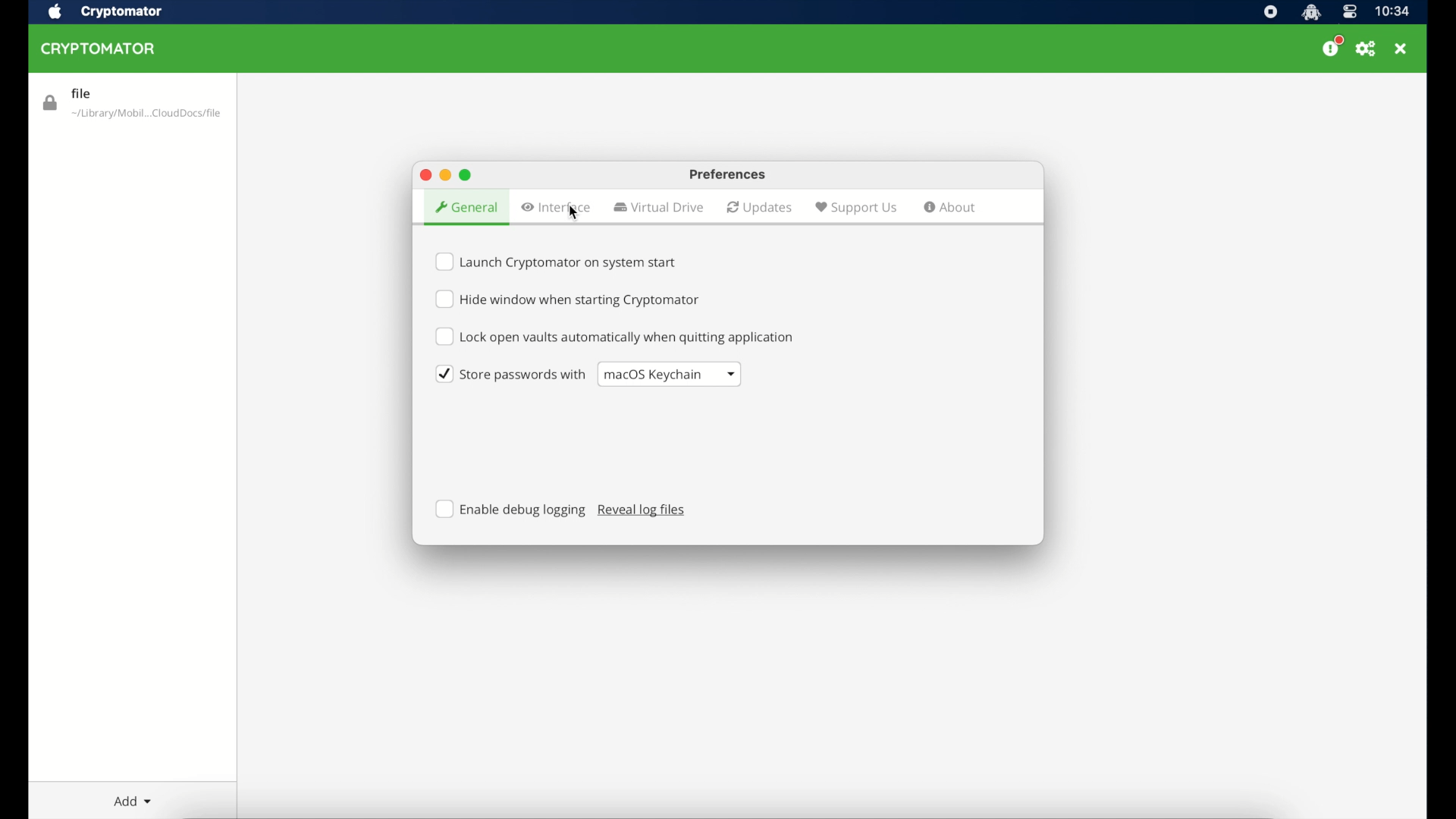 The image size is (1456, 819). I want to click on control center, so click(1348, 12).